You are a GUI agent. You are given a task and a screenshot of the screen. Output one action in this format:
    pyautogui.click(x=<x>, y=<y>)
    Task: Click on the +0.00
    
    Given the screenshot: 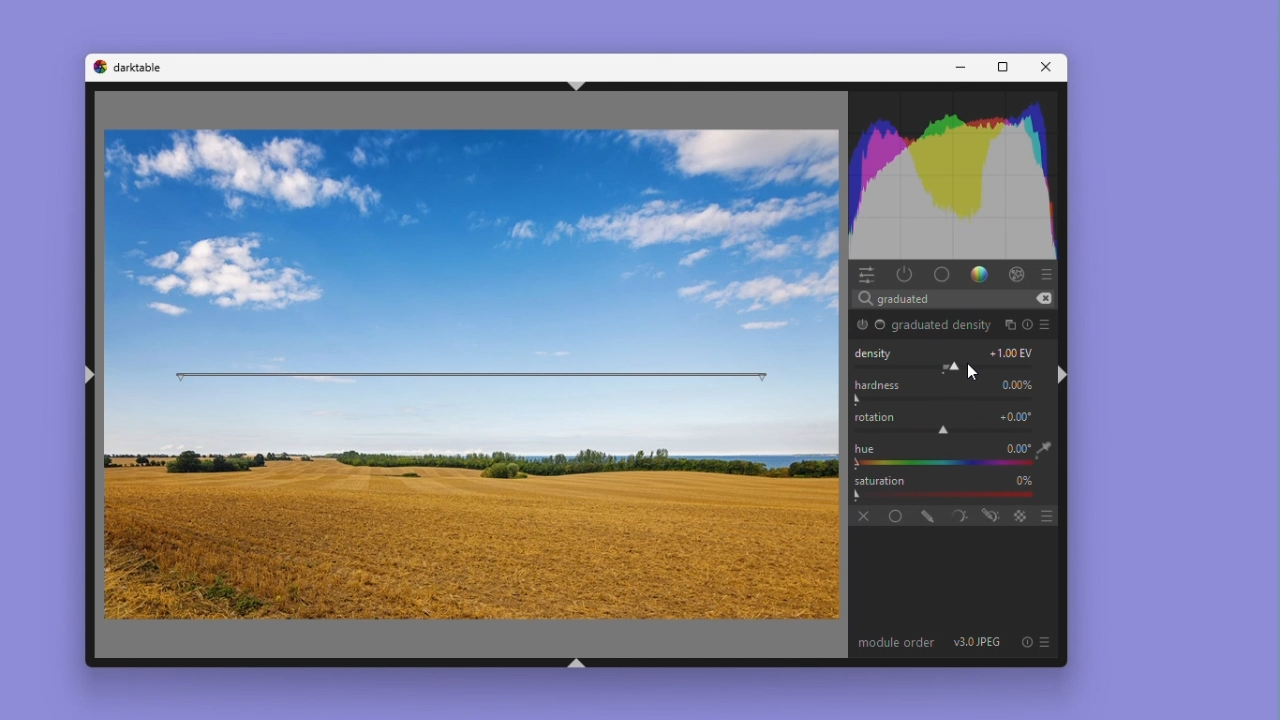 What is the action you would take?
    pyautogui.click(x=1015, y=416)
    